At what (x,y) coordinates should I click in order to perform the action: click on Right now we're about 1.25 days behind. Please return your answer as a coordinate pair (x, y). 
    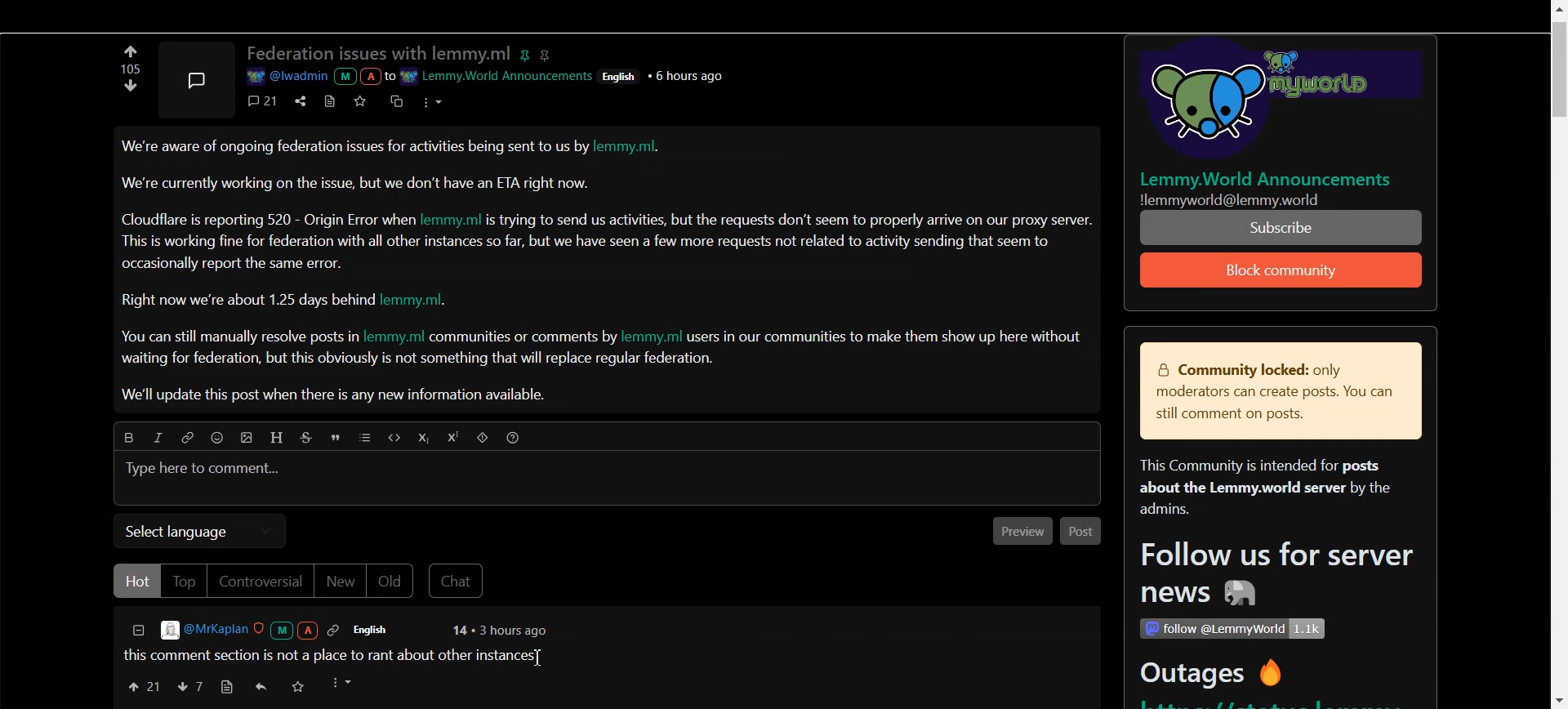
    Looking at the image, I should click on (249, 301).